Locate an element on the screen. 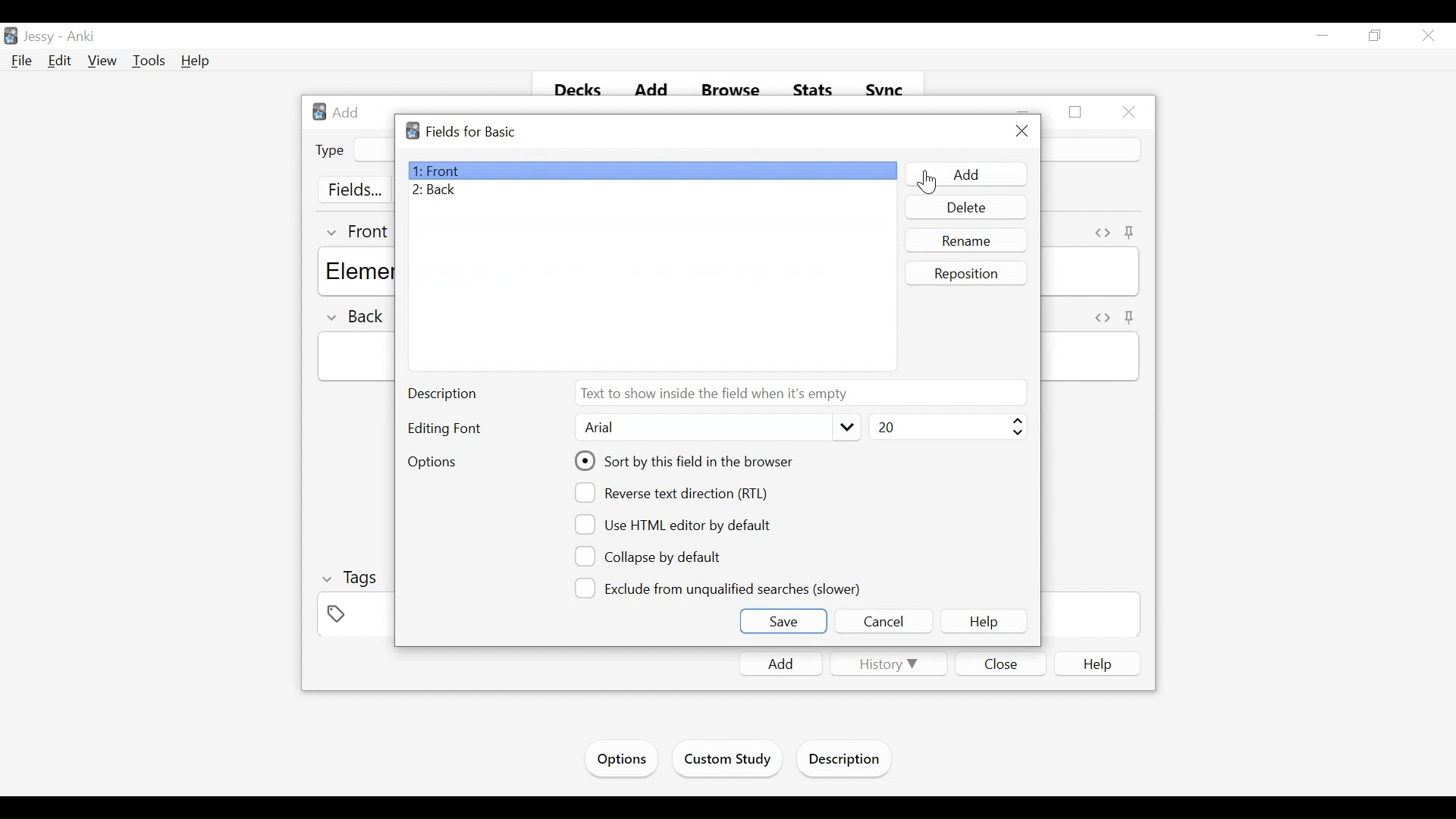 The image size is (1456, 819). (un)select Collapse by Default is located at coordinates (652, 557).